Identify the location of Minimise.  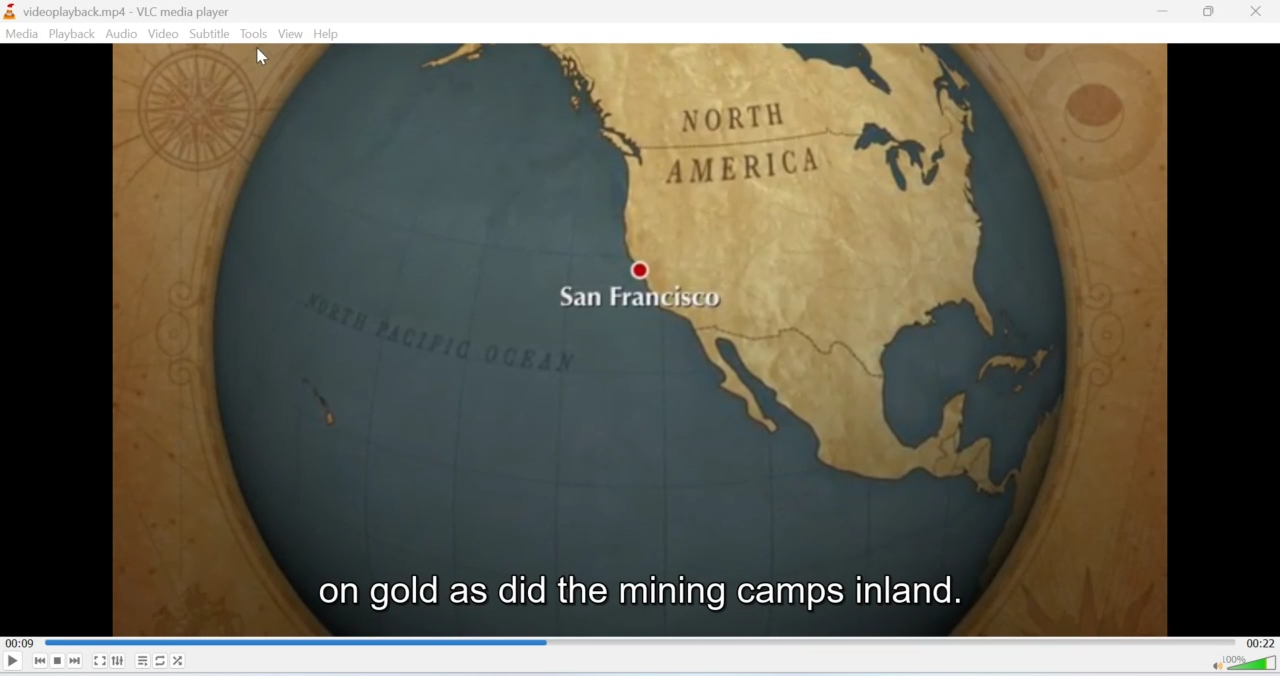
(1211, 12).